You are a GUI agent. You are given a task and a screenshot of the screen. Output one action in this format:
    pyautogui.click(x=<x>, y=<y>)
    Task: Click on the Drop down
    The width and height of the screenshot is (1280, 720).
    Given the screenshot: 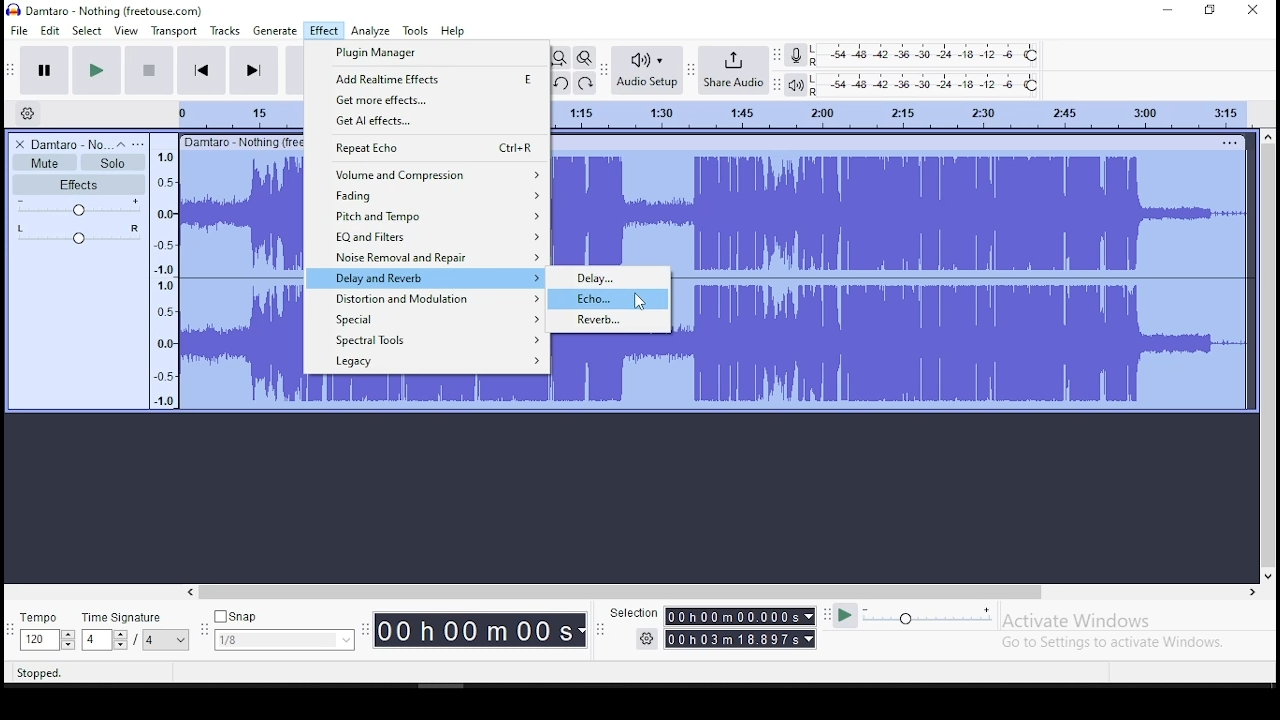 What is the action you would take?
    pyautogui.click(x=119, y=639)
    